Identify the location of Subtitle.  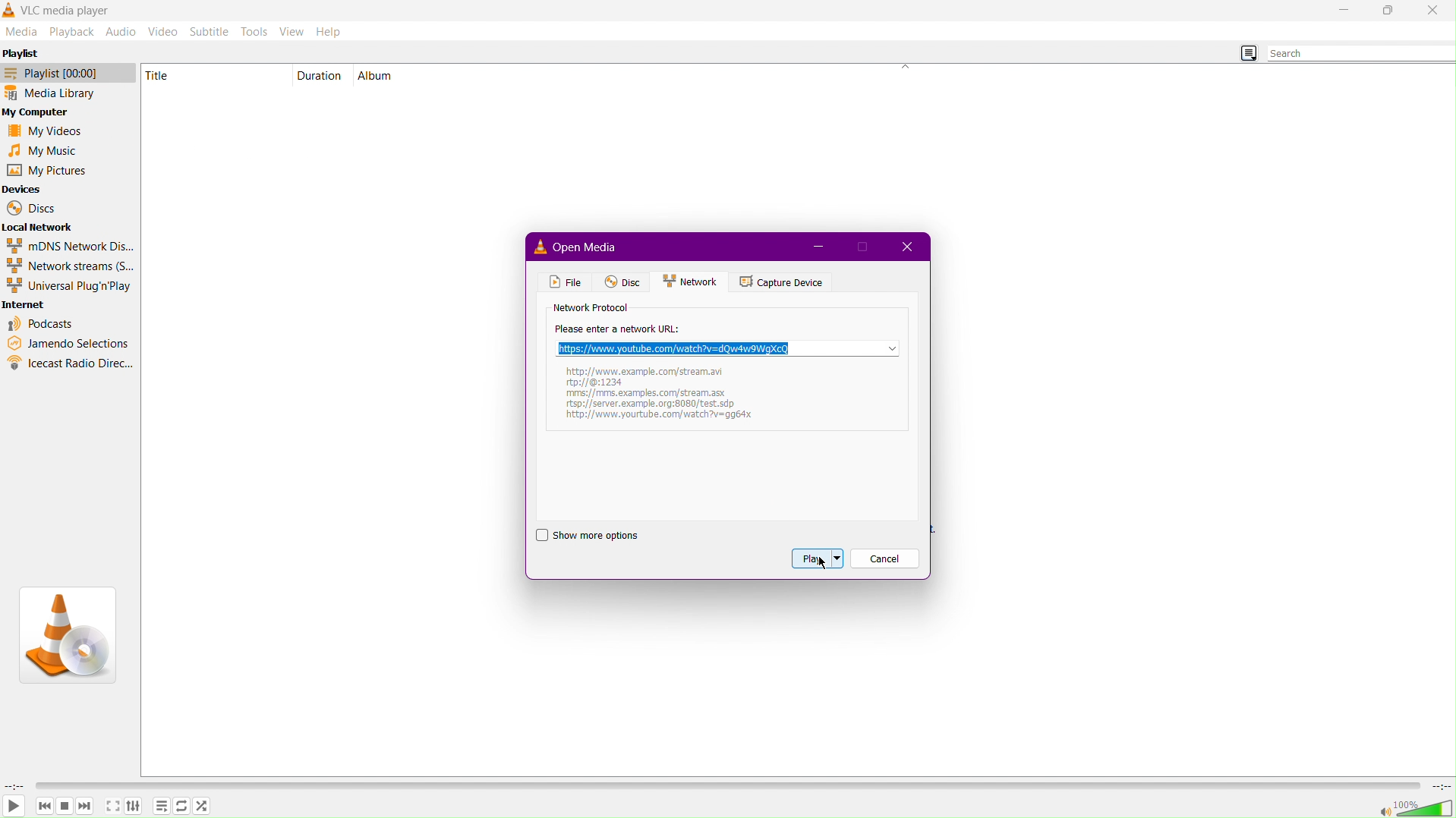
(213, 32).